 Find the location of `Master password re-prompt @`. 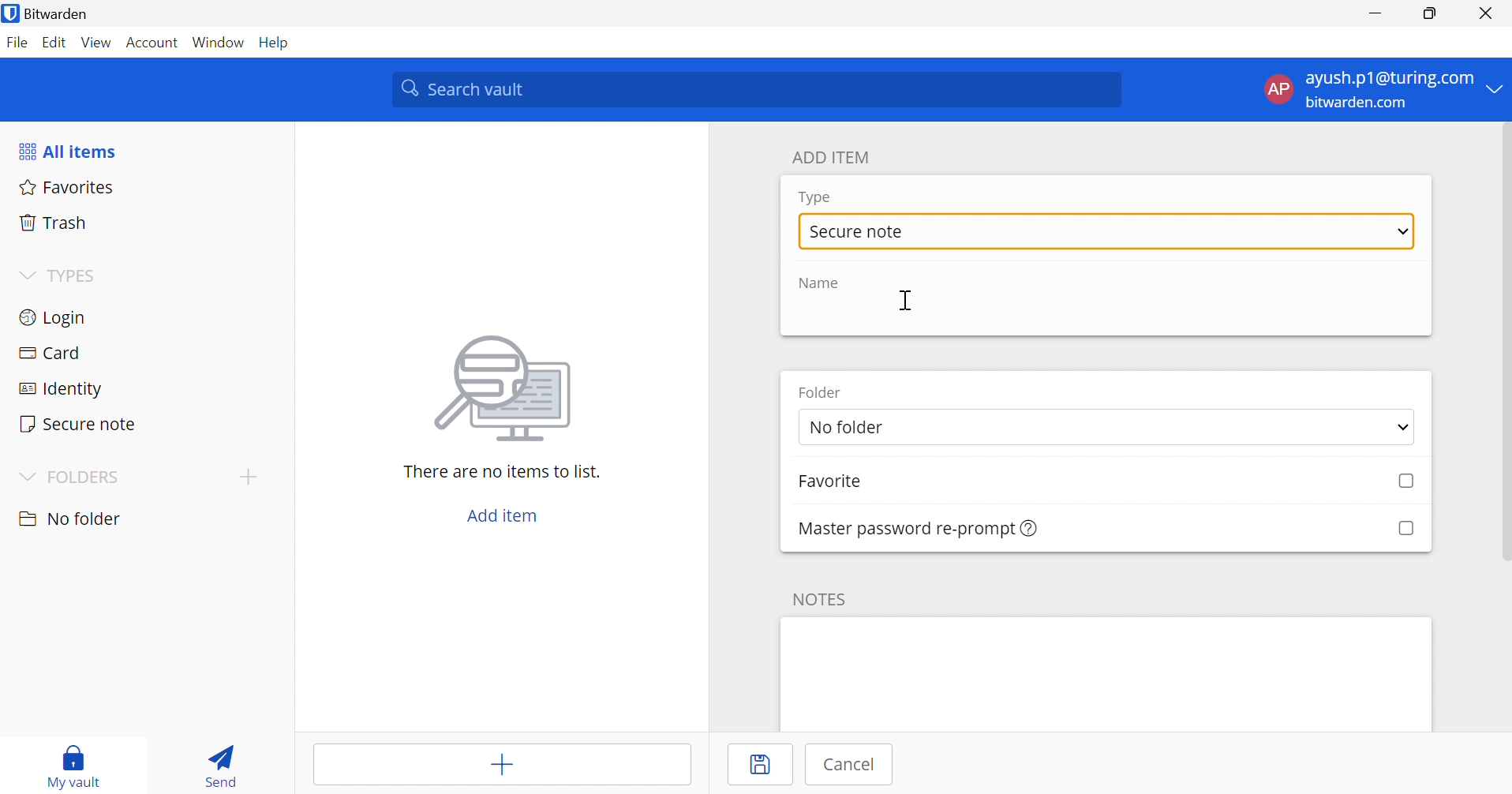

Master password re-prompt @ is located at coordinates (898, 527).